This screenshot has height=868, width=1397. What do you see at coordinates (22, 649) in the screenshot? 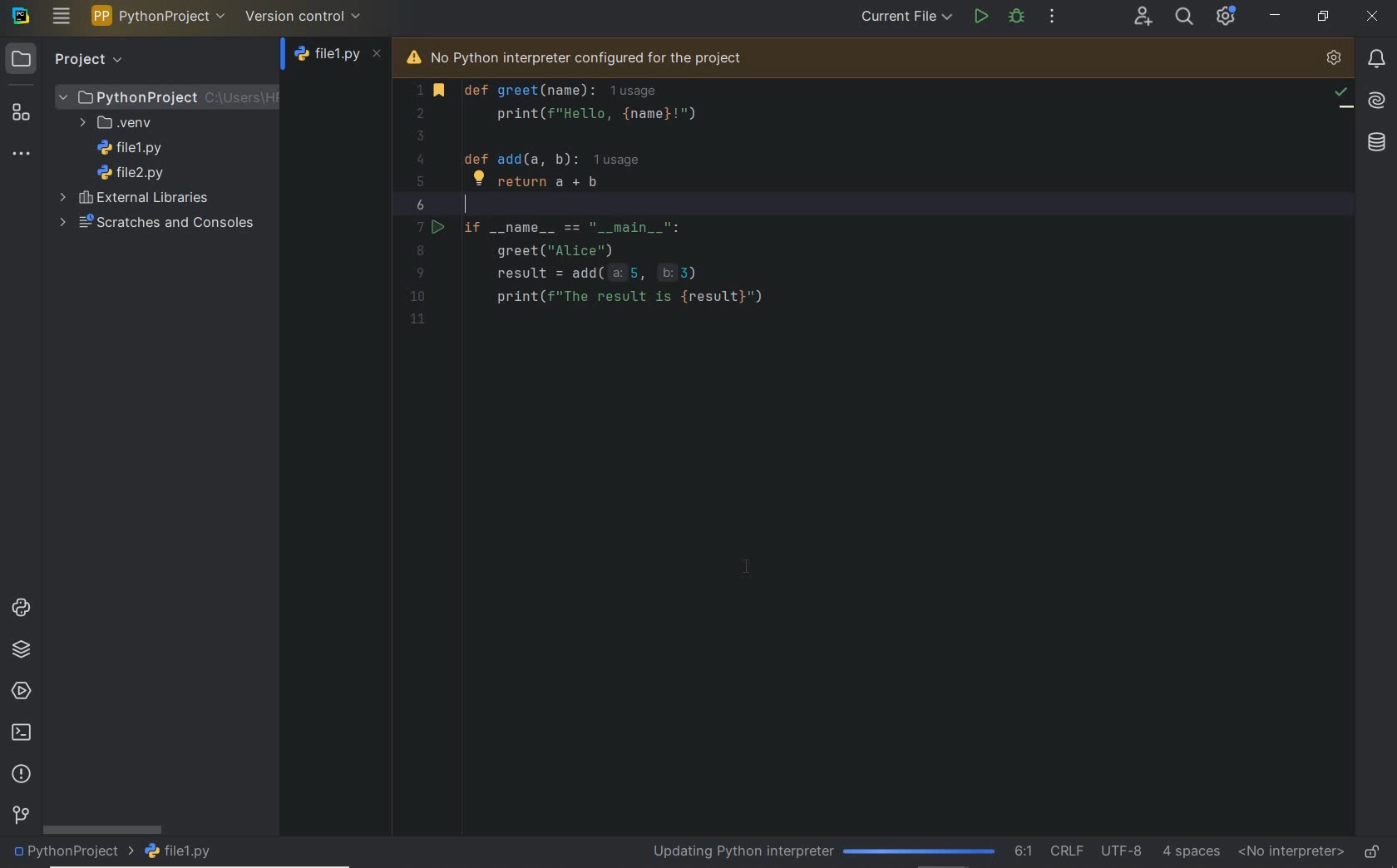
I see `python packages` at bounding box center [22, 649].